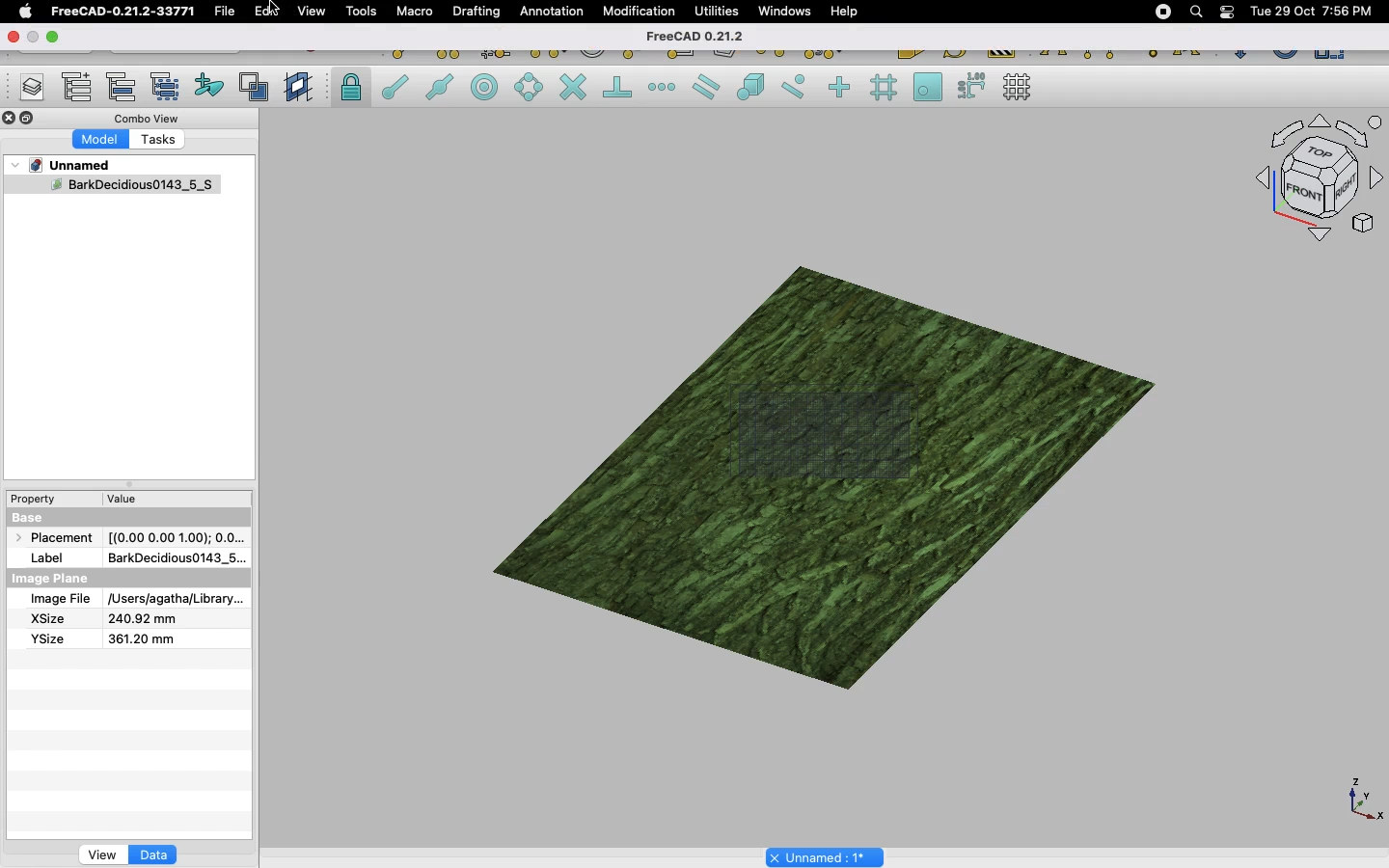 The height and width of the screenshot is (868, 1389). Describe the element at coordinates (172, 600) in the screenshot. I see `[Users/agatha/Library...` at that location.